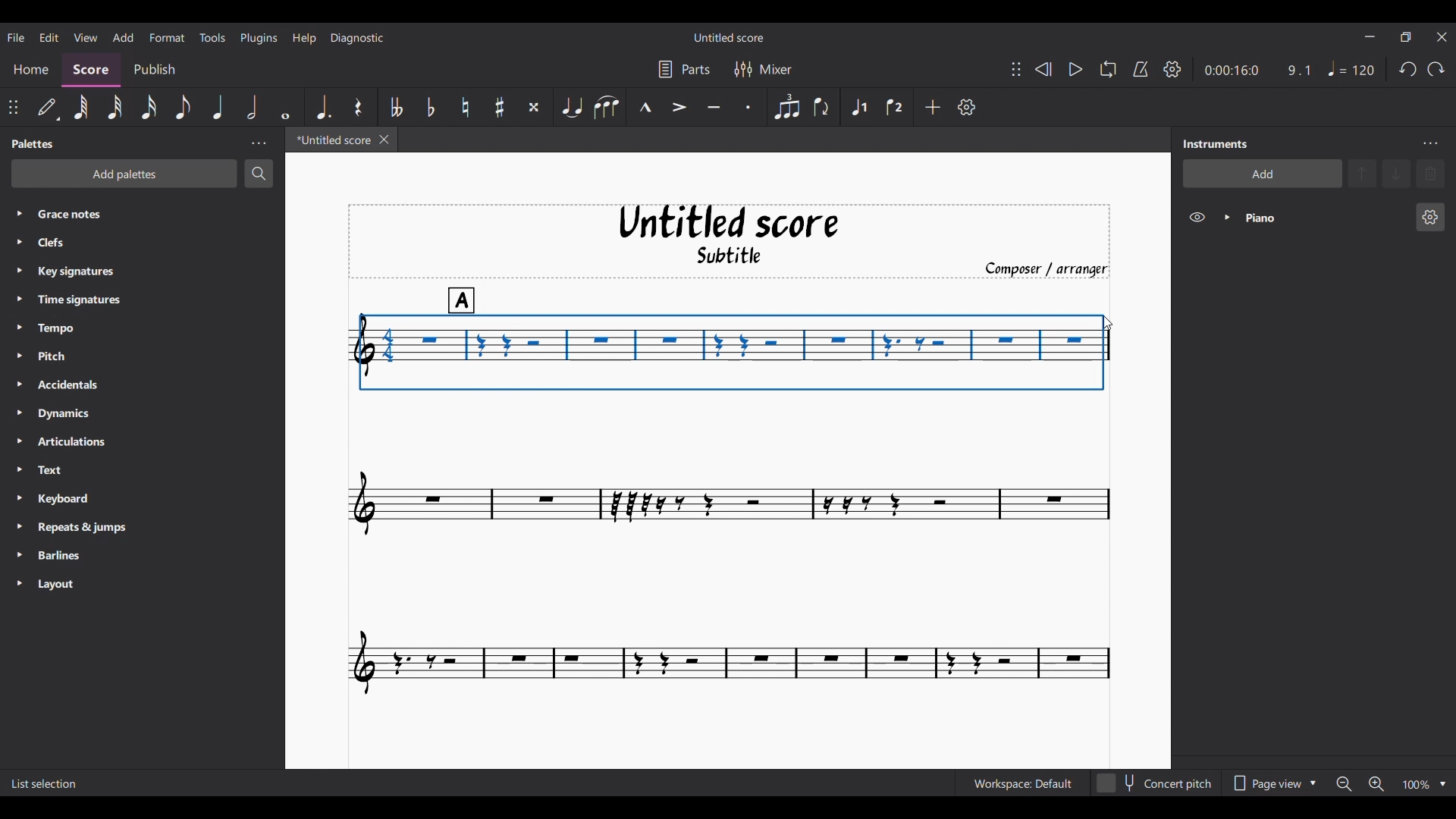 The image size is (1456, 819). Describe the element at coordinates (212, 38) in the screenshot. I see `Tools menu` at that location.